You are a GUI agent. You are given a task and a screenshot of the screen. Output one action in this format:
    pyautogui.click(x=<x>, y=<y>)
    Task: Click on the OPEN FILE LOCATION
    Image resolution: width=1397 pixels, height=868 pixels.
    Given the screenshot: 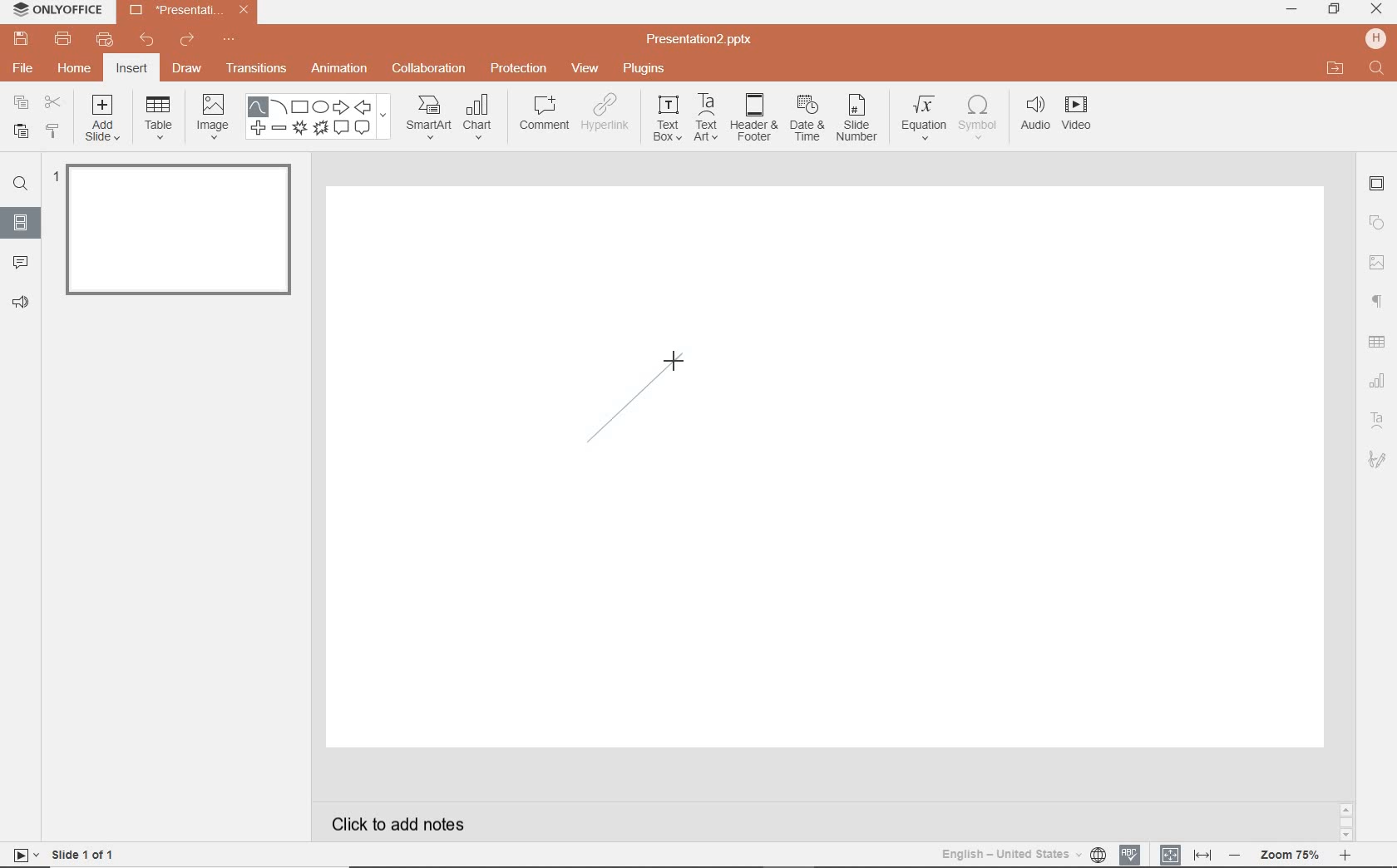 What is the action you would take?
    pyautogui.click(x=1335, y=69)
    